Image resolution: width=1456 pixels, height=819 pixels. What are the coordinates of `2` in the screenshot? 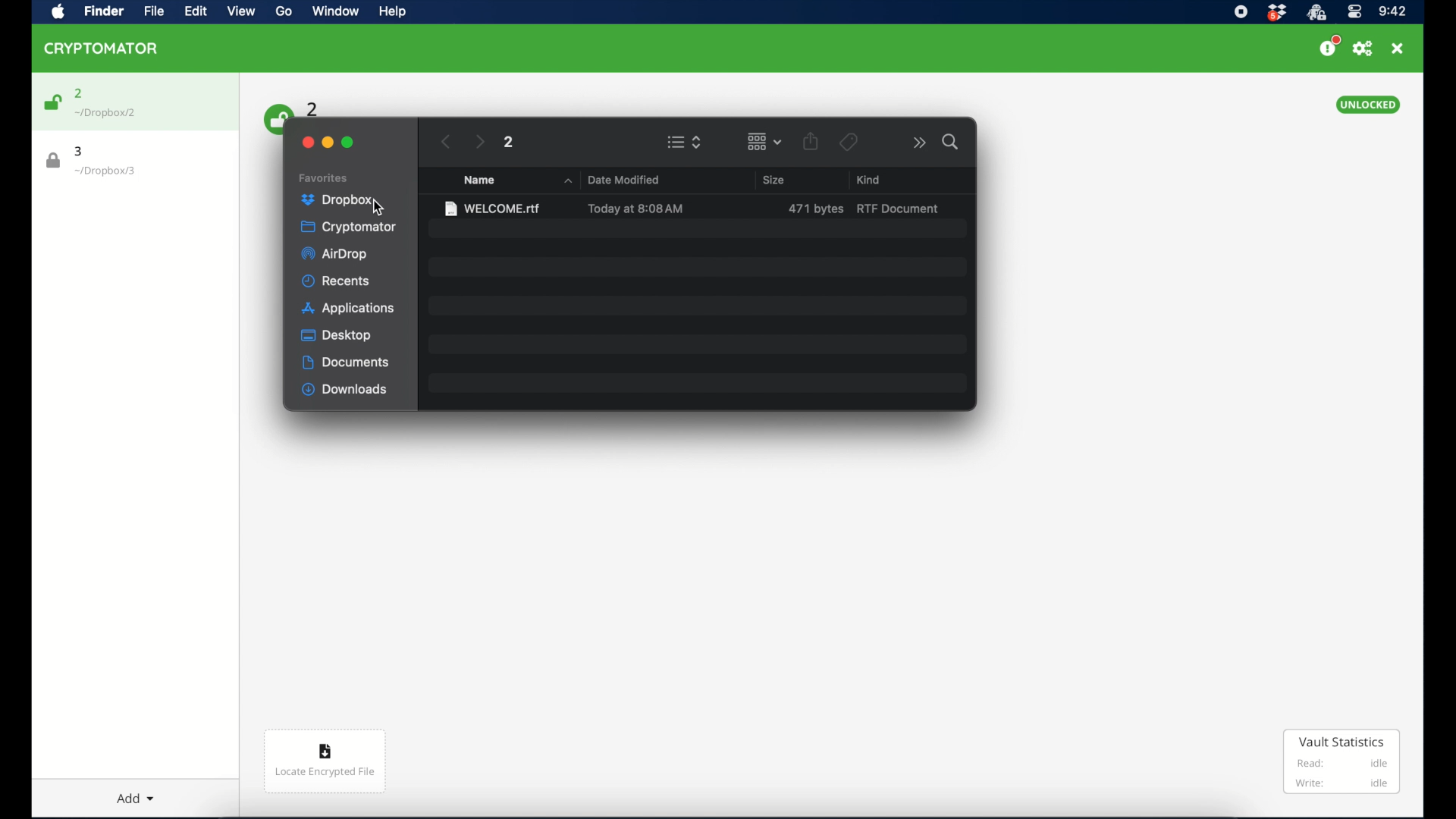 It's located at (313, 108).